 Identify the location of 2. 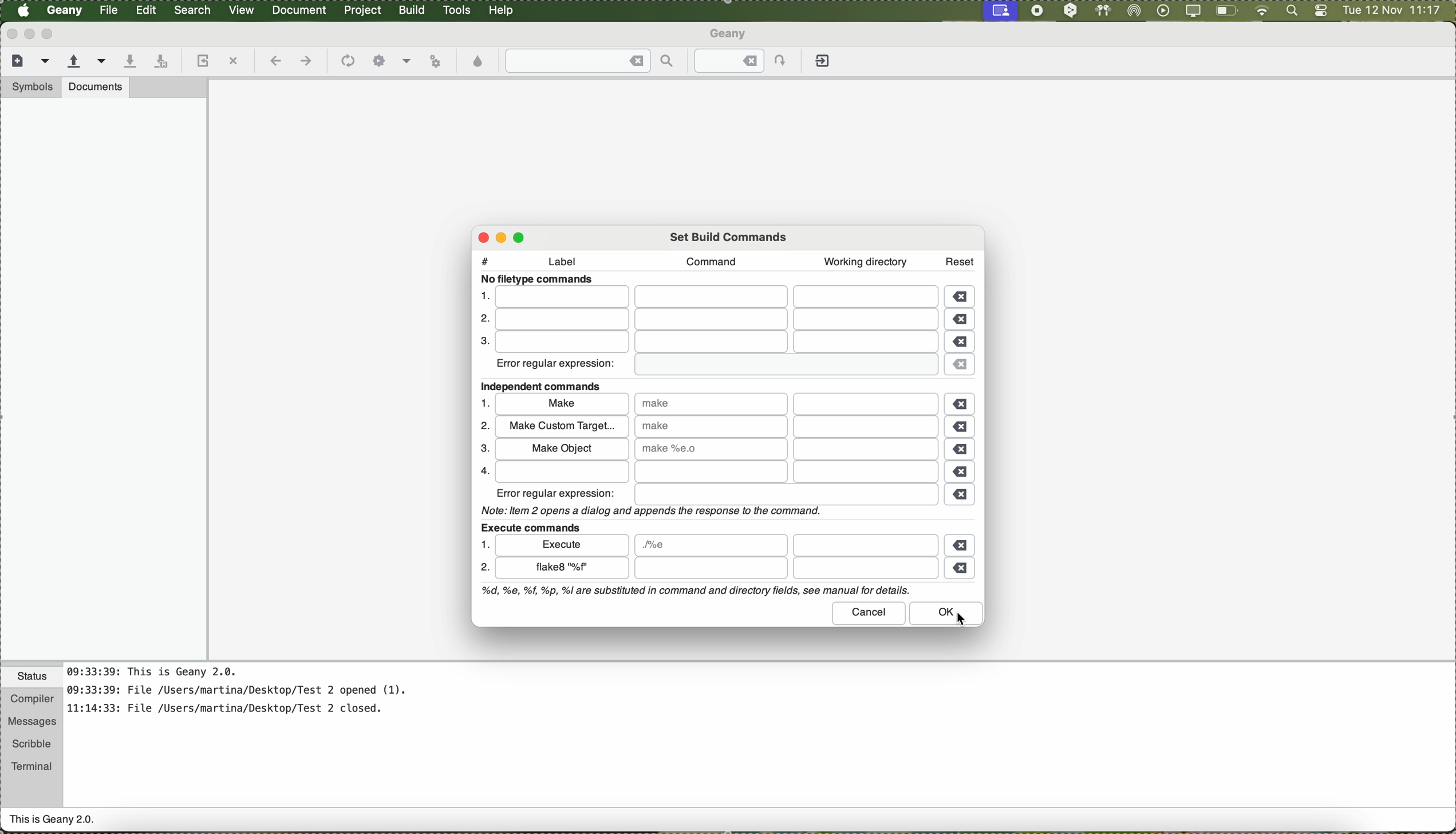
(484, 569).